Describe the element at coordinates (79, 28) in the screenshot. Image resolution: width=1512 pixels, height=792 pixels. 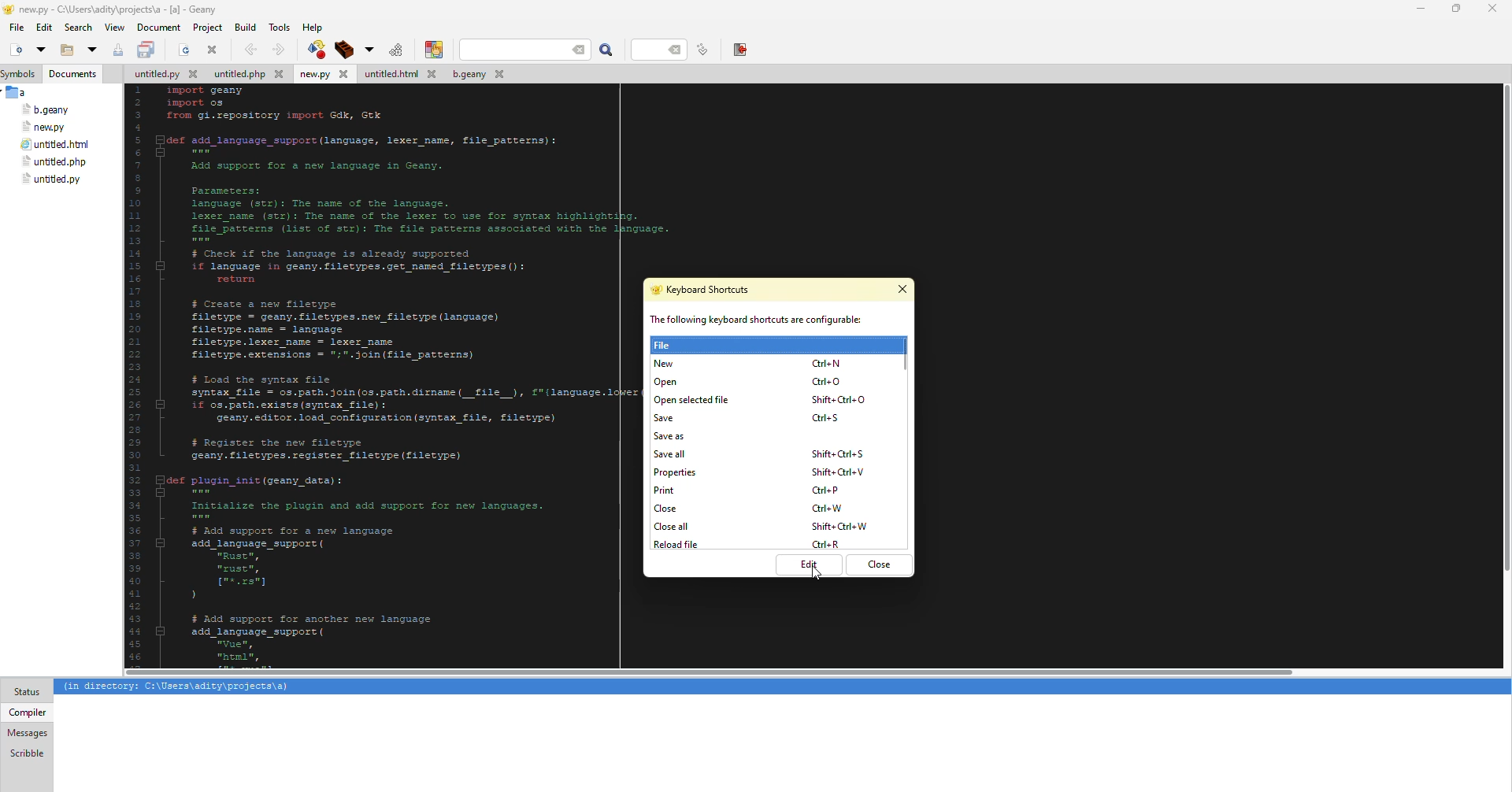
I see `search` at that location.